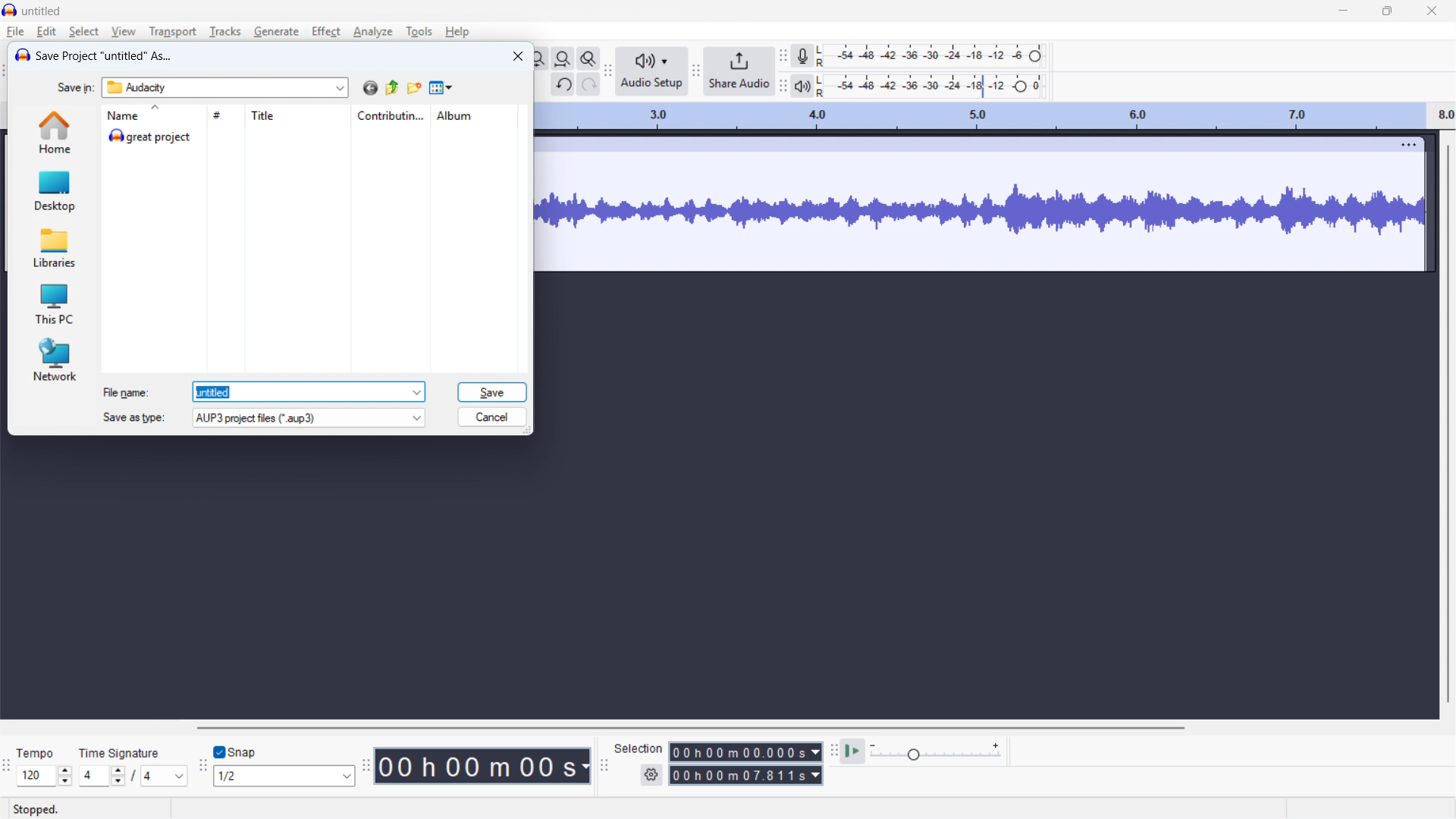 The image size is (1456, 819). I want to click on untitled, so click(41, 11).